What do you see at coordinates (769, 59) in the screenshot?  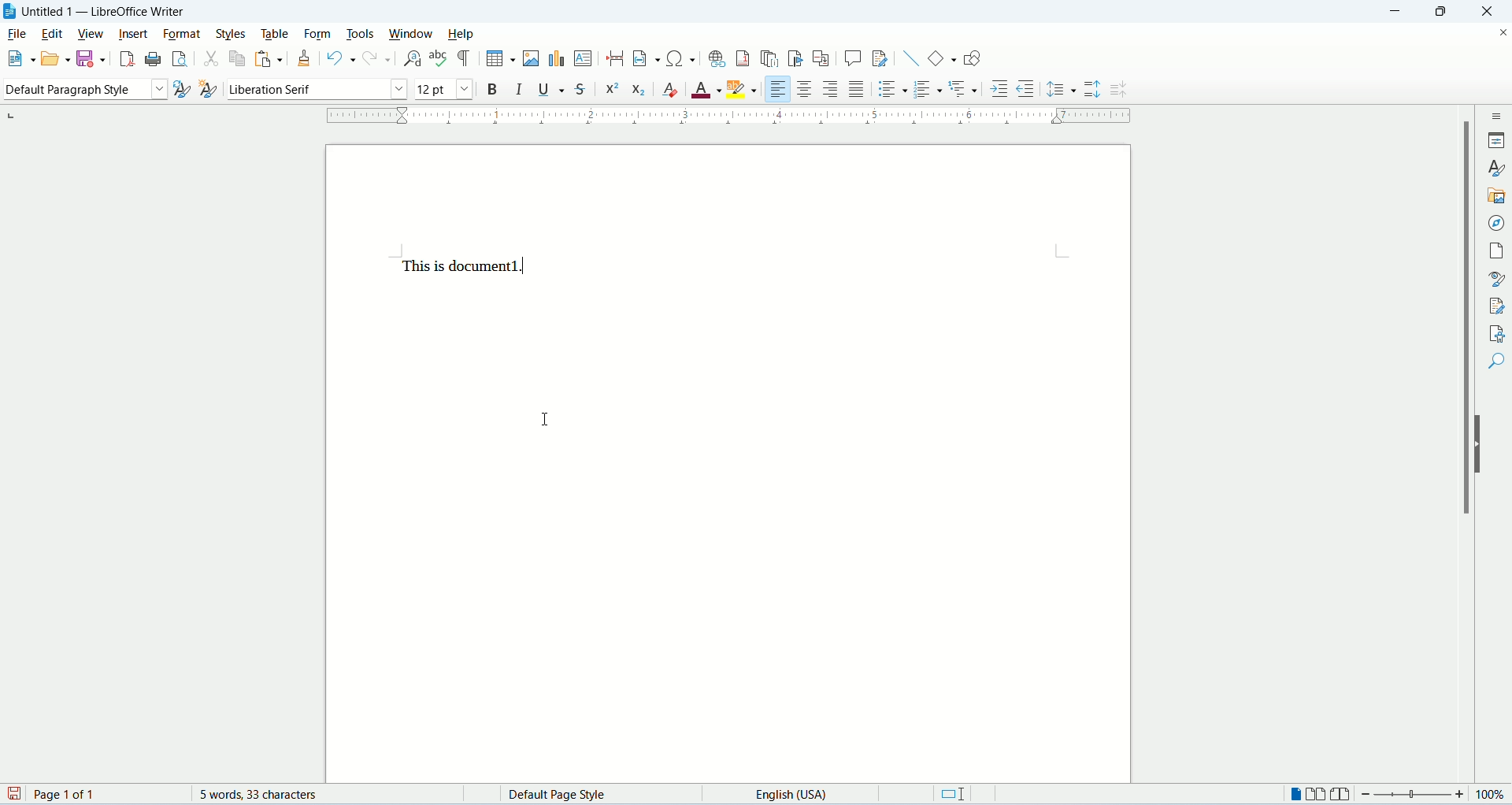 I see `insert endnote` at bounding box center [769, 59].